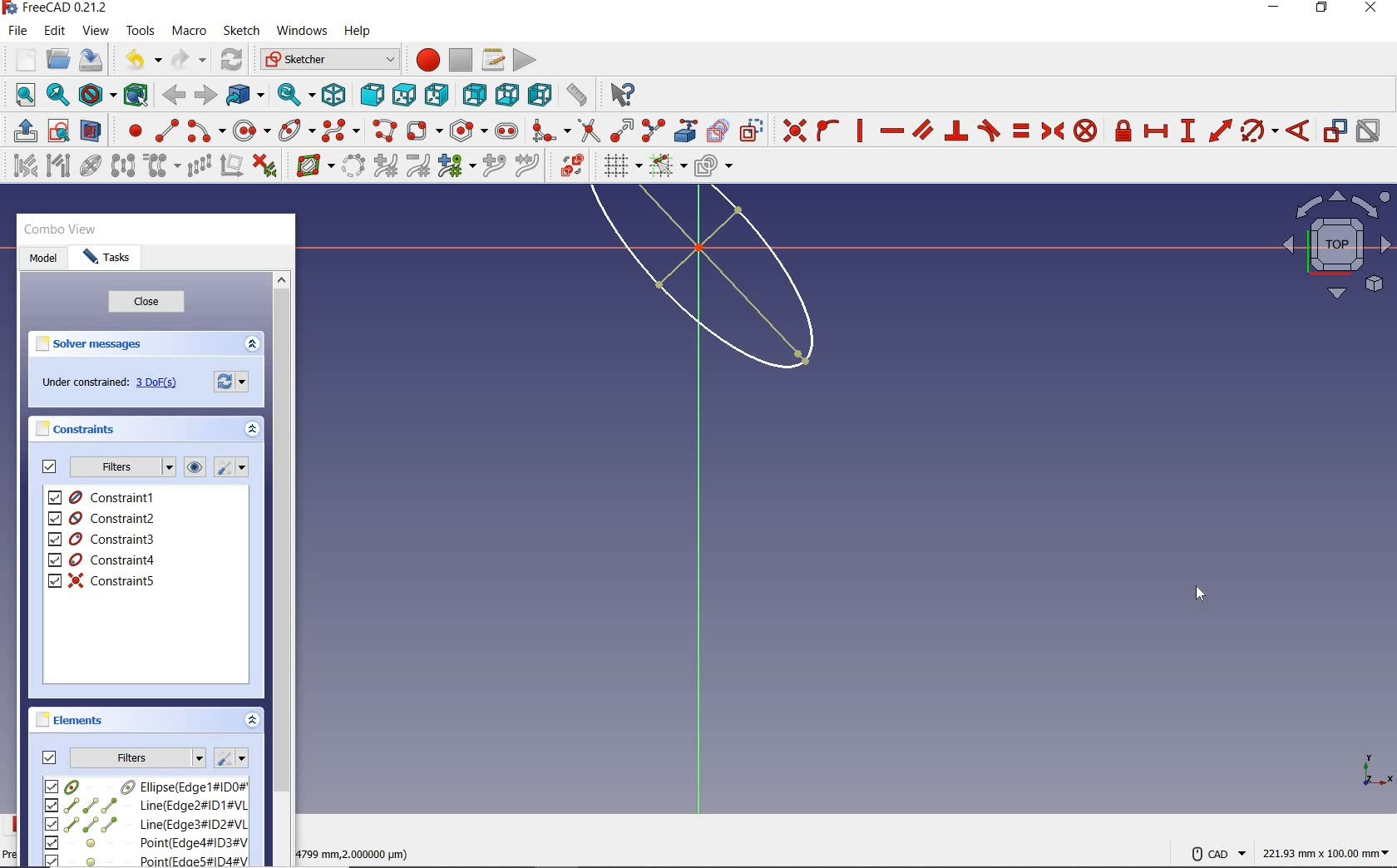 The width and height of the screenshot is (1397, 868). I want to click on element2, so click(146, 805).